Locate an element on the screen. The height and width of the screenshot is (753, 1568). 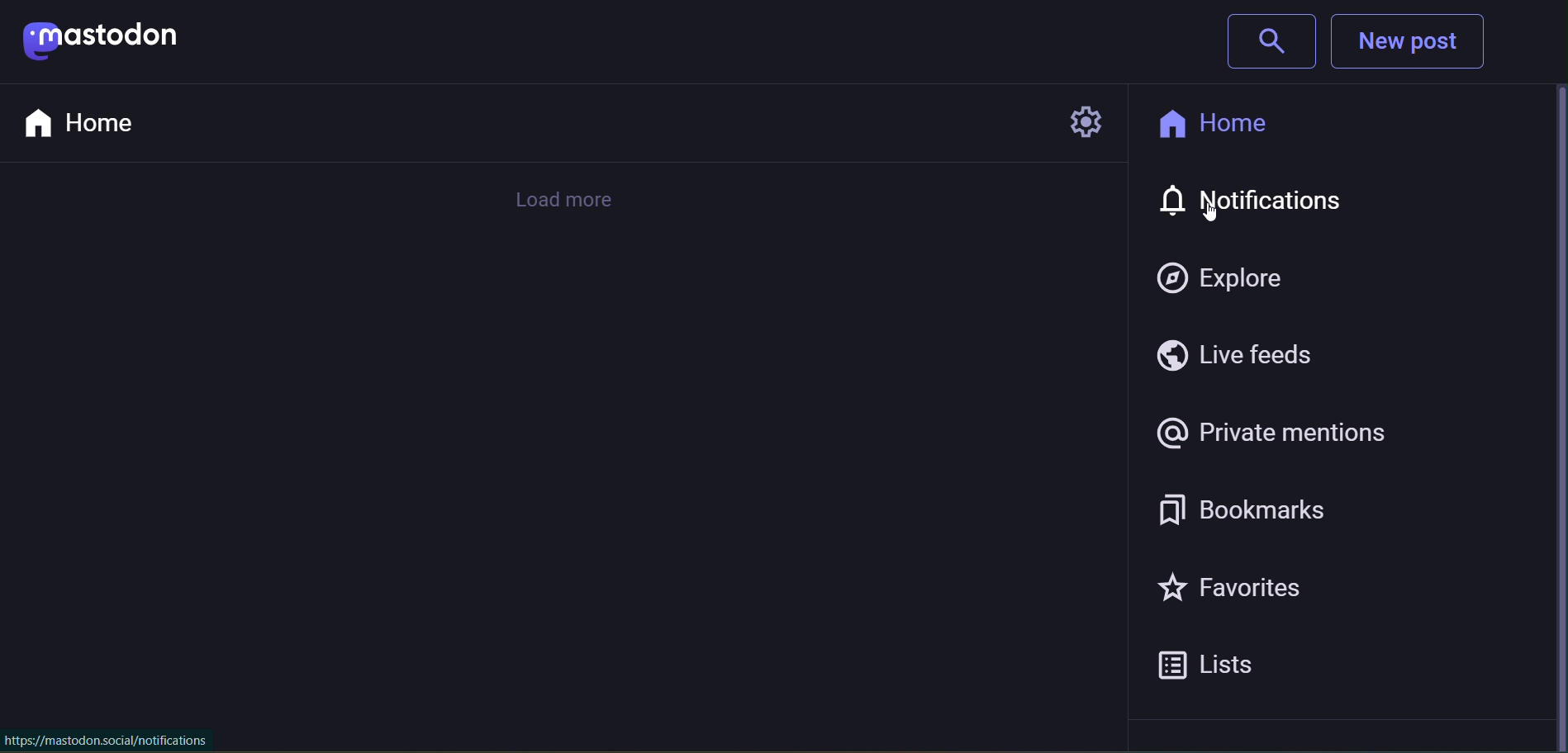
home is located at coordinates (88, 122).